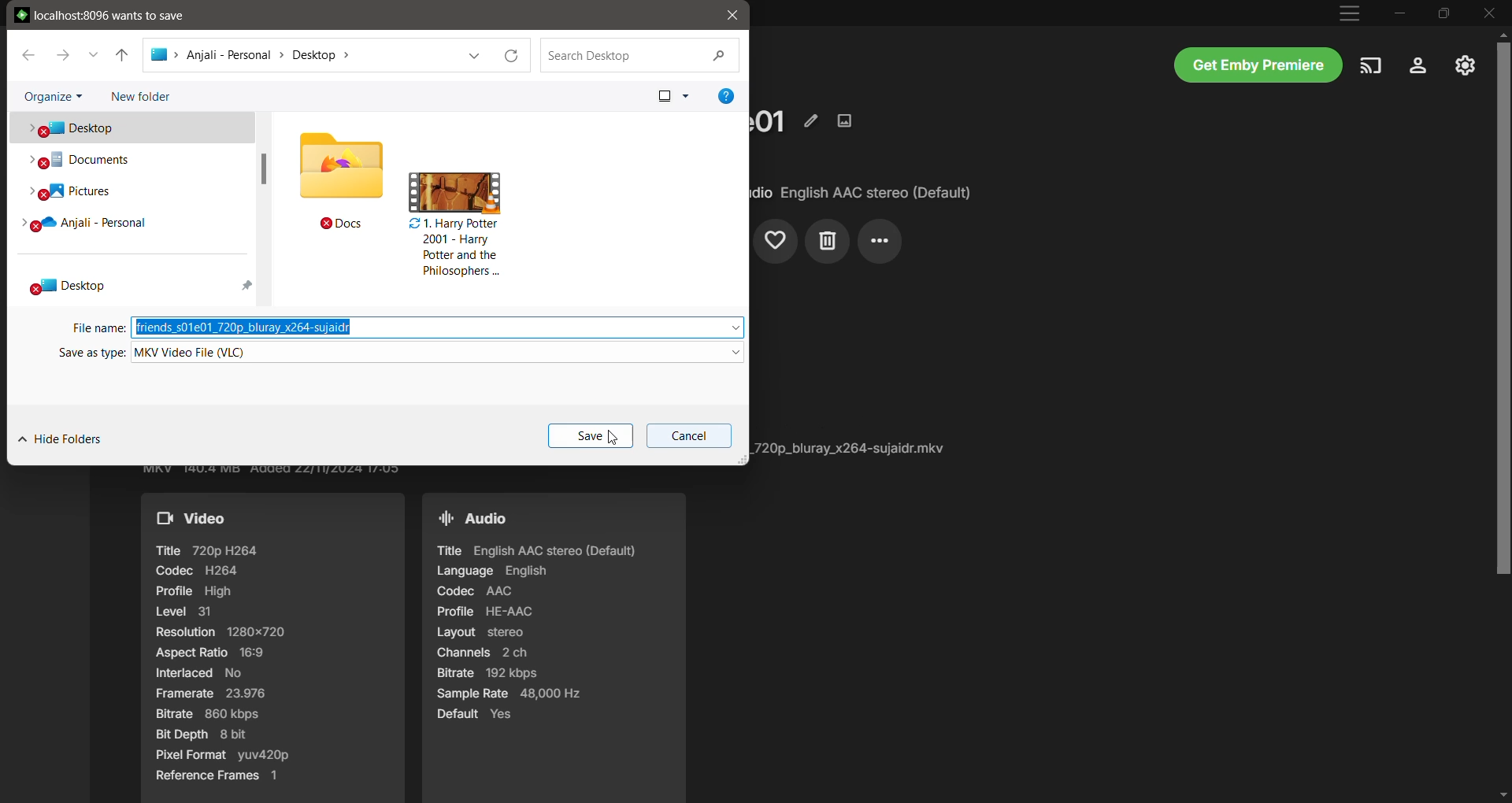 This screenshot has height=803, width=1512. Describe the element at coordinates (62, 54) in the screenshot. I see `Forward` at that location.